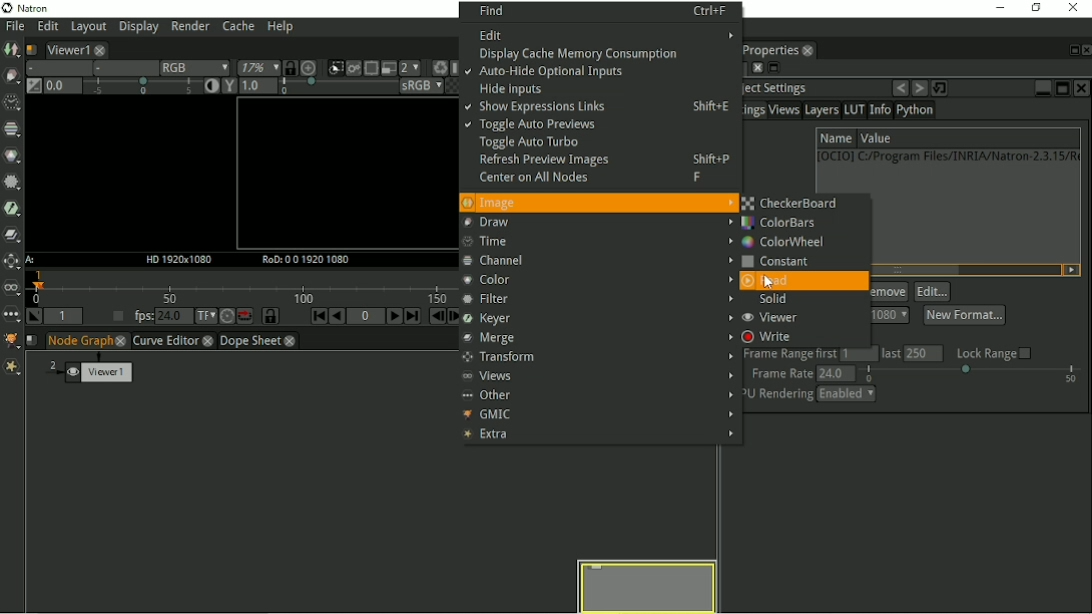 This screenshot has height=614, width=1092. I want to click on Set playback in point, so click(35, 317).